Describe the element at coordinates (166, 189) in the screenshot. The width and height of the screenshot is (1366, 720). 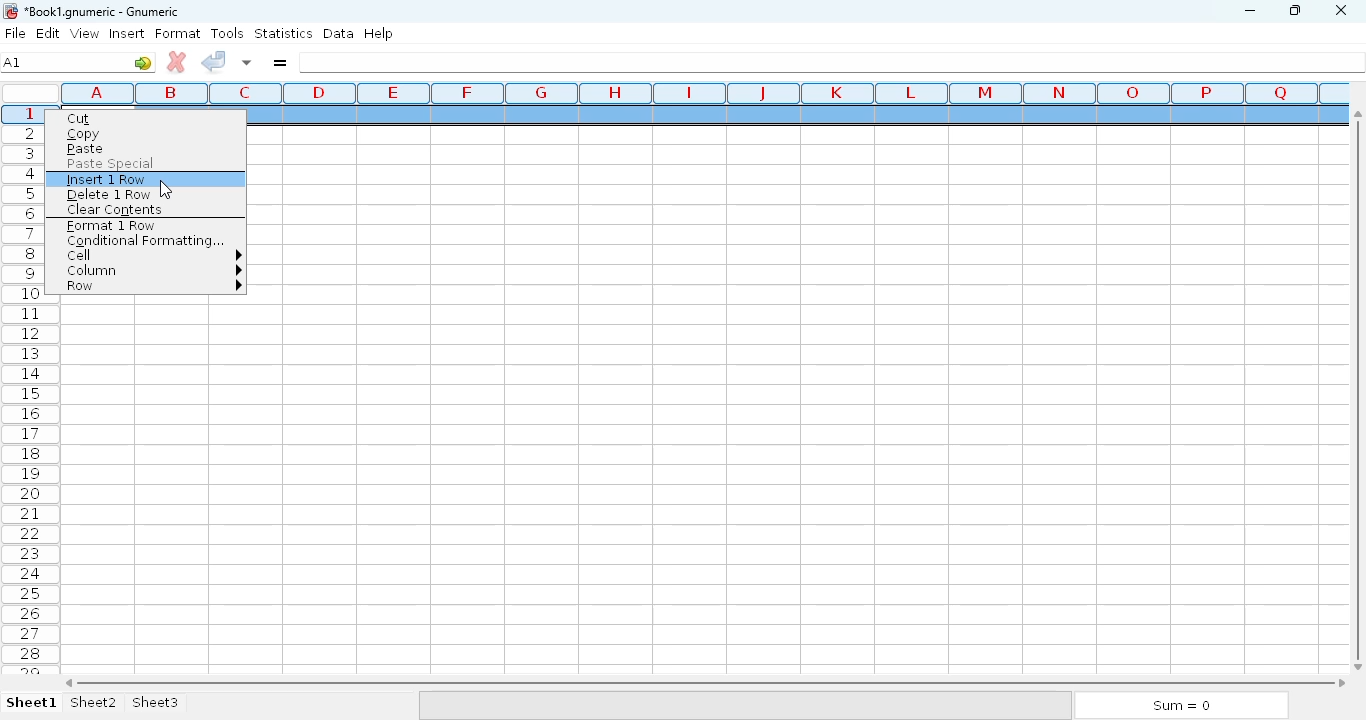
I see `cursor` at that location.